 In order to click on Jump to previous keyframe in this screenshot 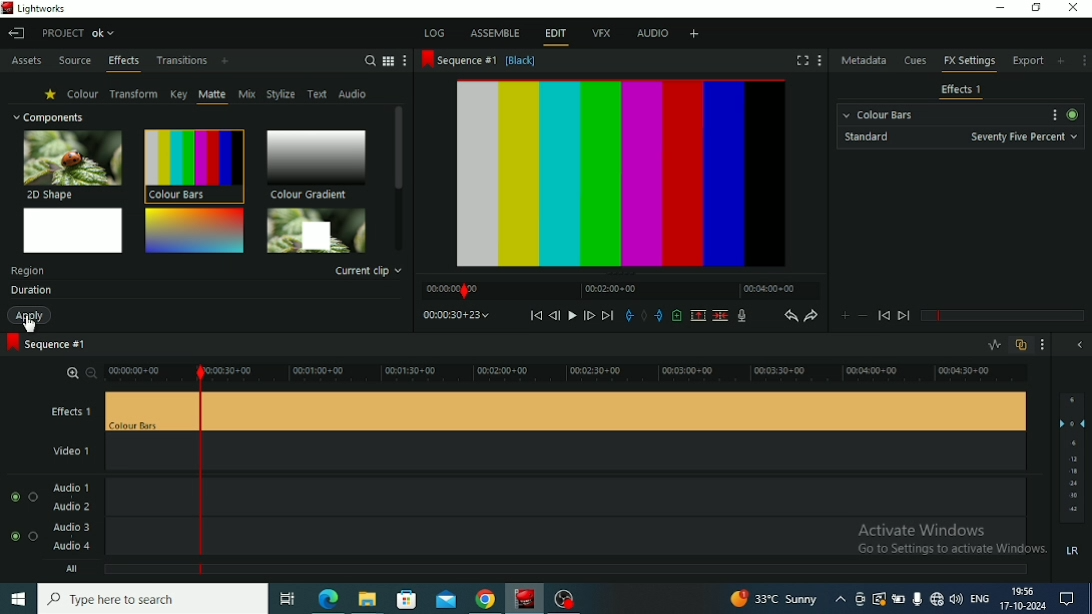, I will do `click(884, 316)`.